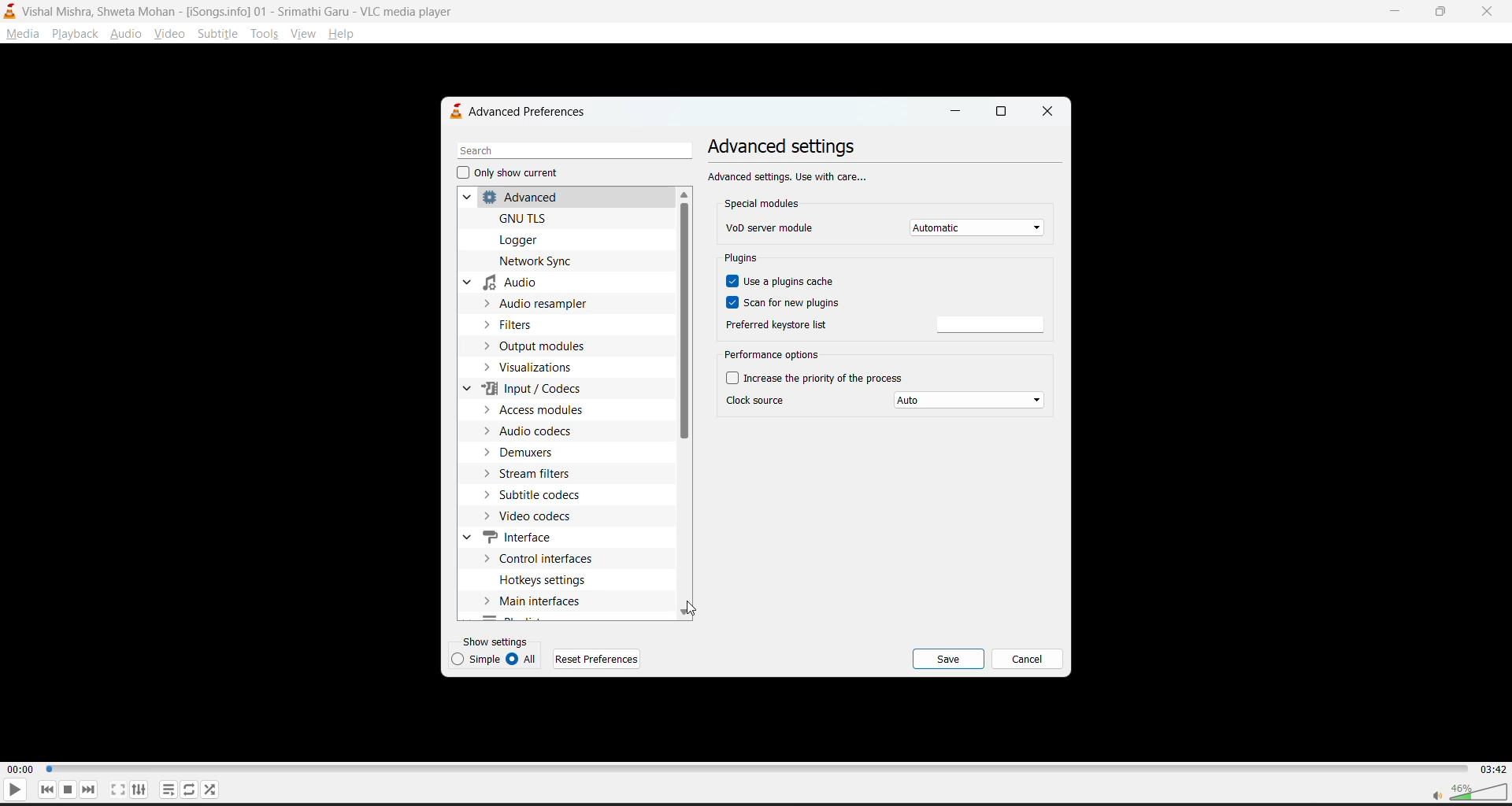 The image size is (1512, 806). What do you see at coordinates (525, 113) in the screenshot?
I see `advanced preferences` at bounding box center [525, 113].